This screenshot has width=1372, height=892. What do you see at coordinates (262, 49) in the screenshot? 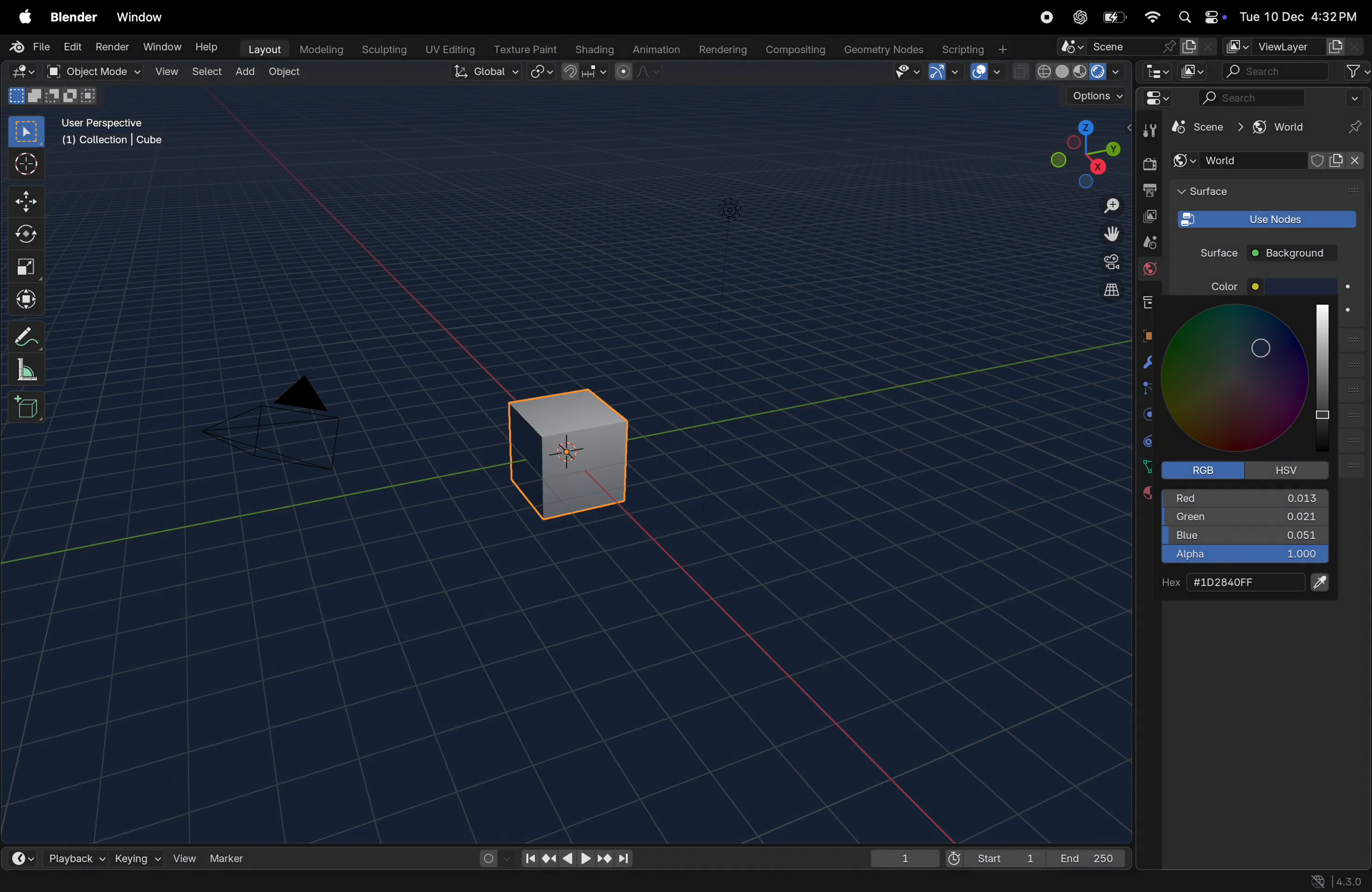
I see `Layout` at bounding box center [262, 49].